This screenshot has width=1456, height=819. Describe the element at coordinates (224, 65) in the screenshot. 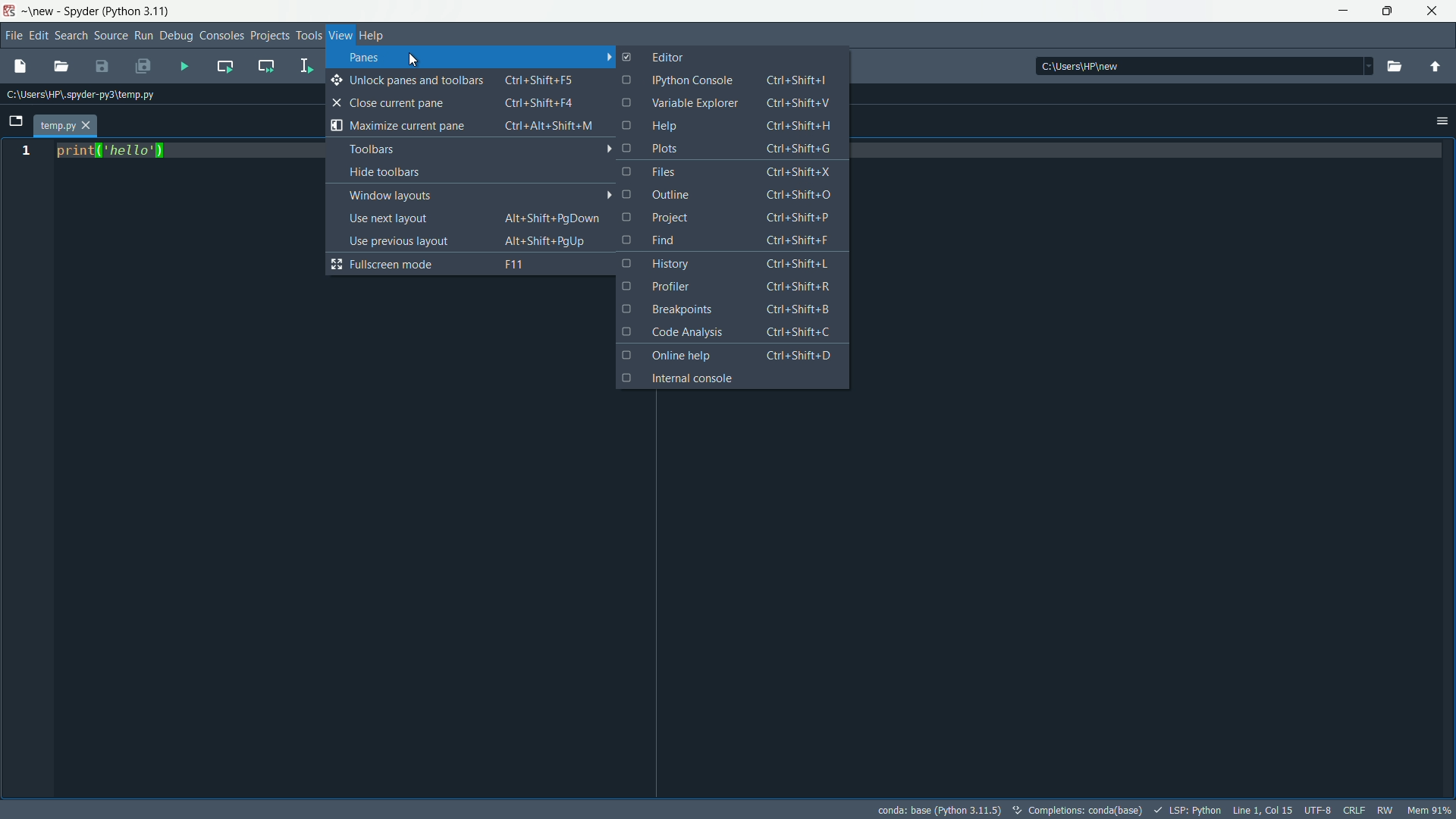

I see `run current cell` at that location.